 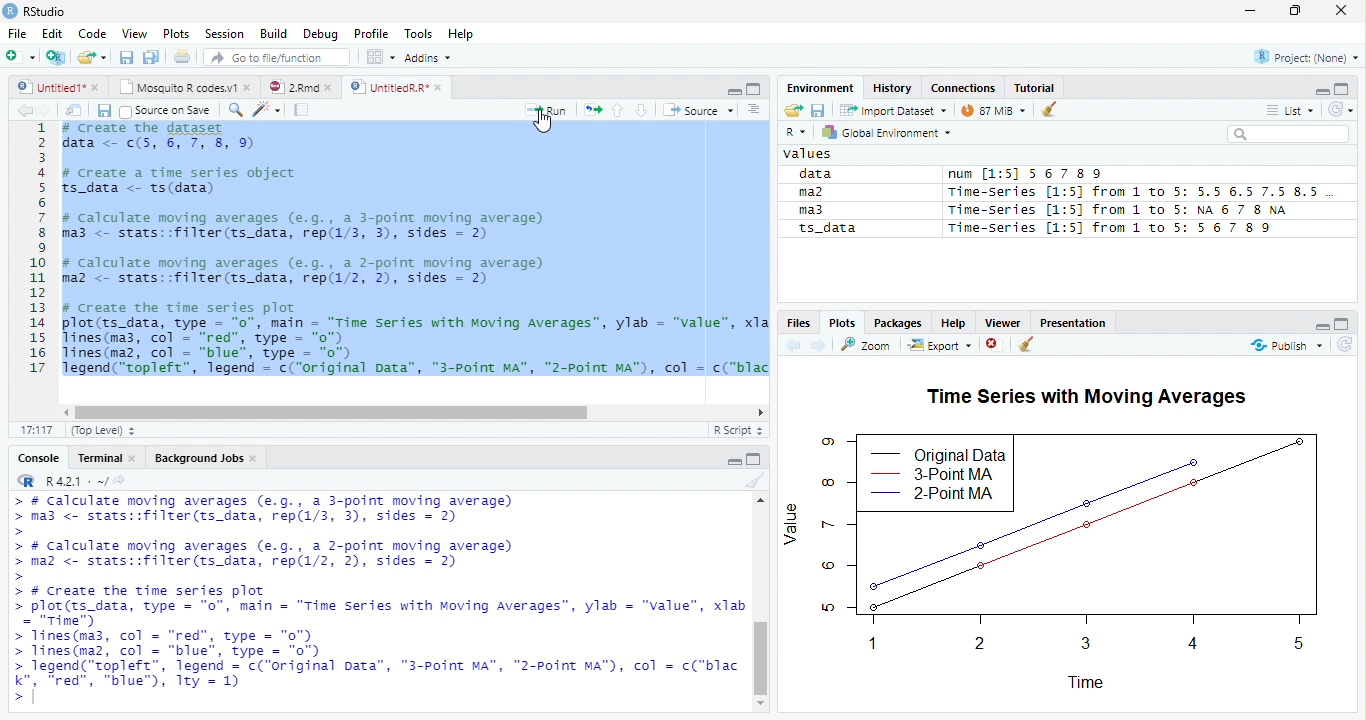 I want to click on print current file, so click(x=151, y=57).